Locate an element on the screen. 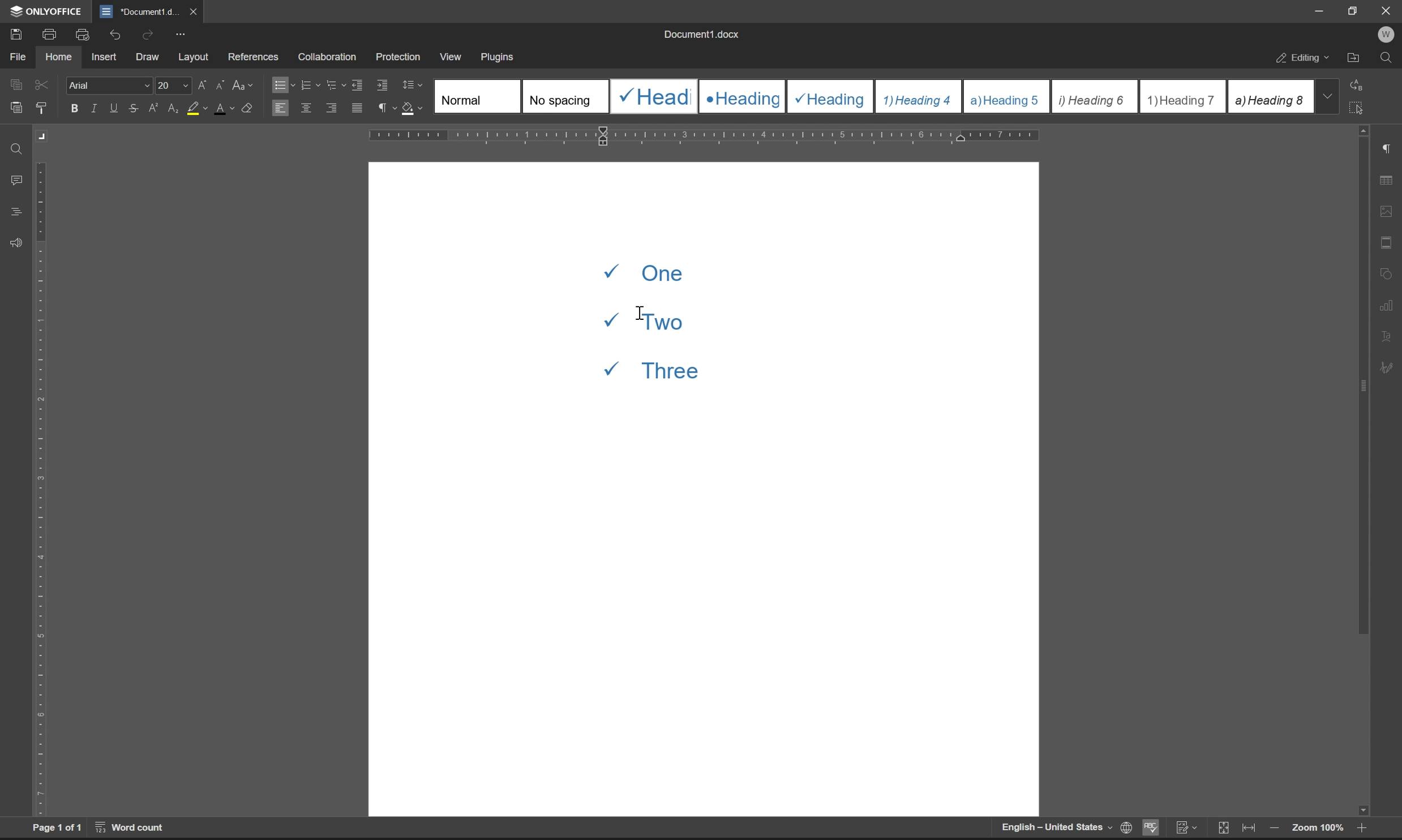  shape settings is located at coordinates (1386, 271).